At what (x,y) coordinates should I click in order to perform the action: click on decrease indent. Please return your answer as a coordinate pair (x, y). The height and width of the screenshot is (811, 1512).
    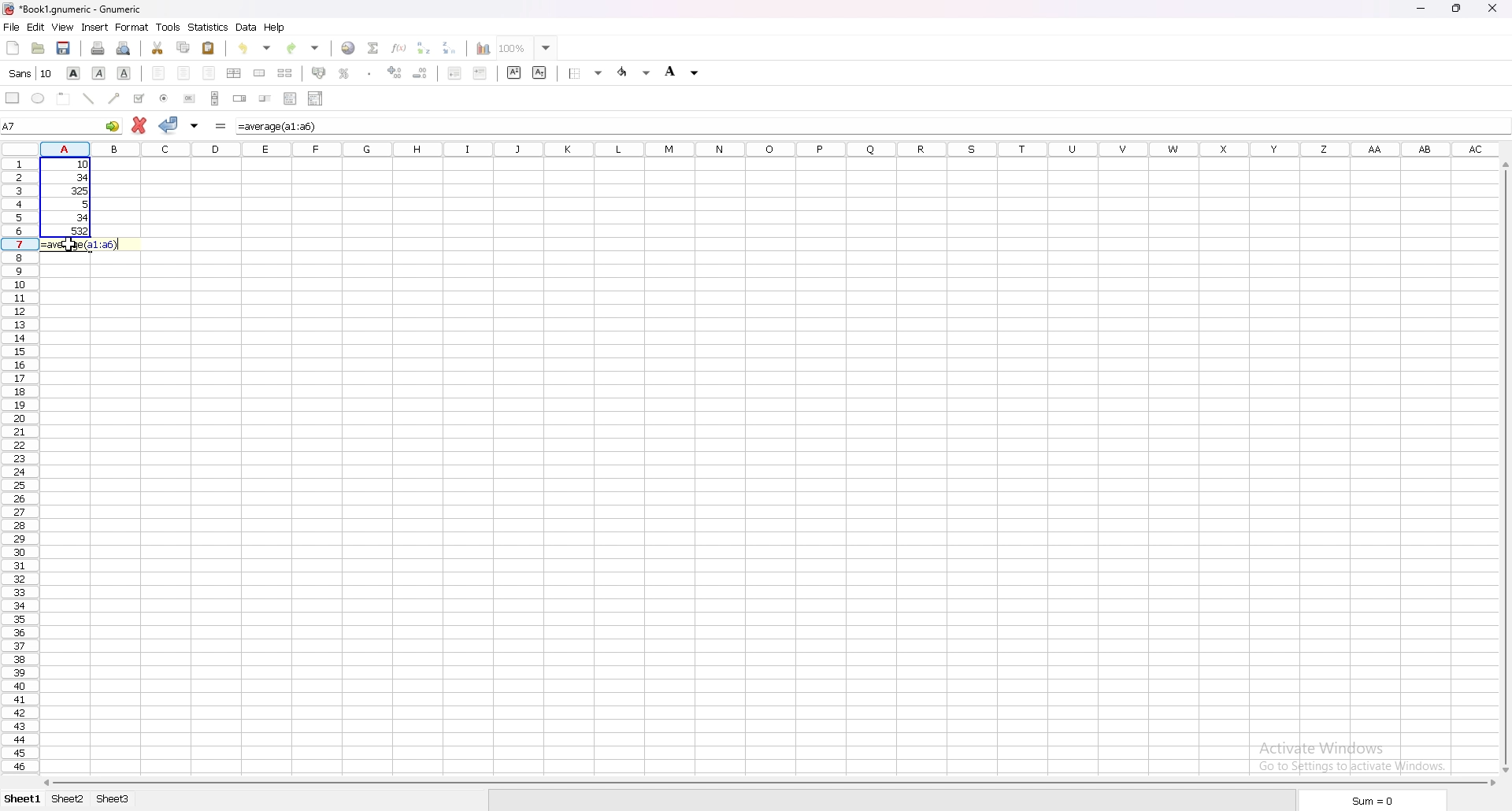
    Looking at the image, I should click on (455, 73).